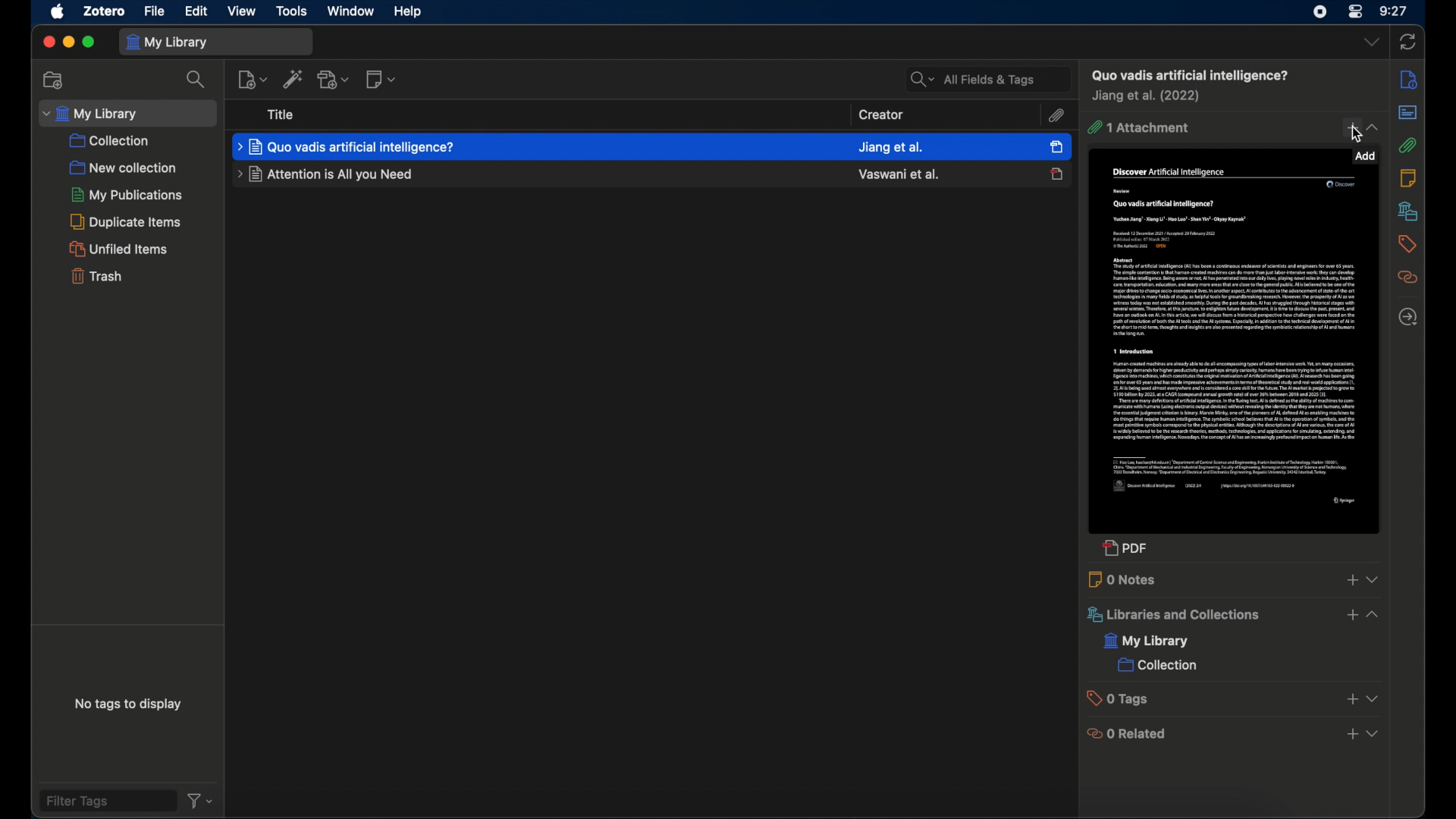 The width and height of the screenshot is (1456, 819). Describe the element at coordinates (891, 146) in the screenshot. I see `creator` at that location.